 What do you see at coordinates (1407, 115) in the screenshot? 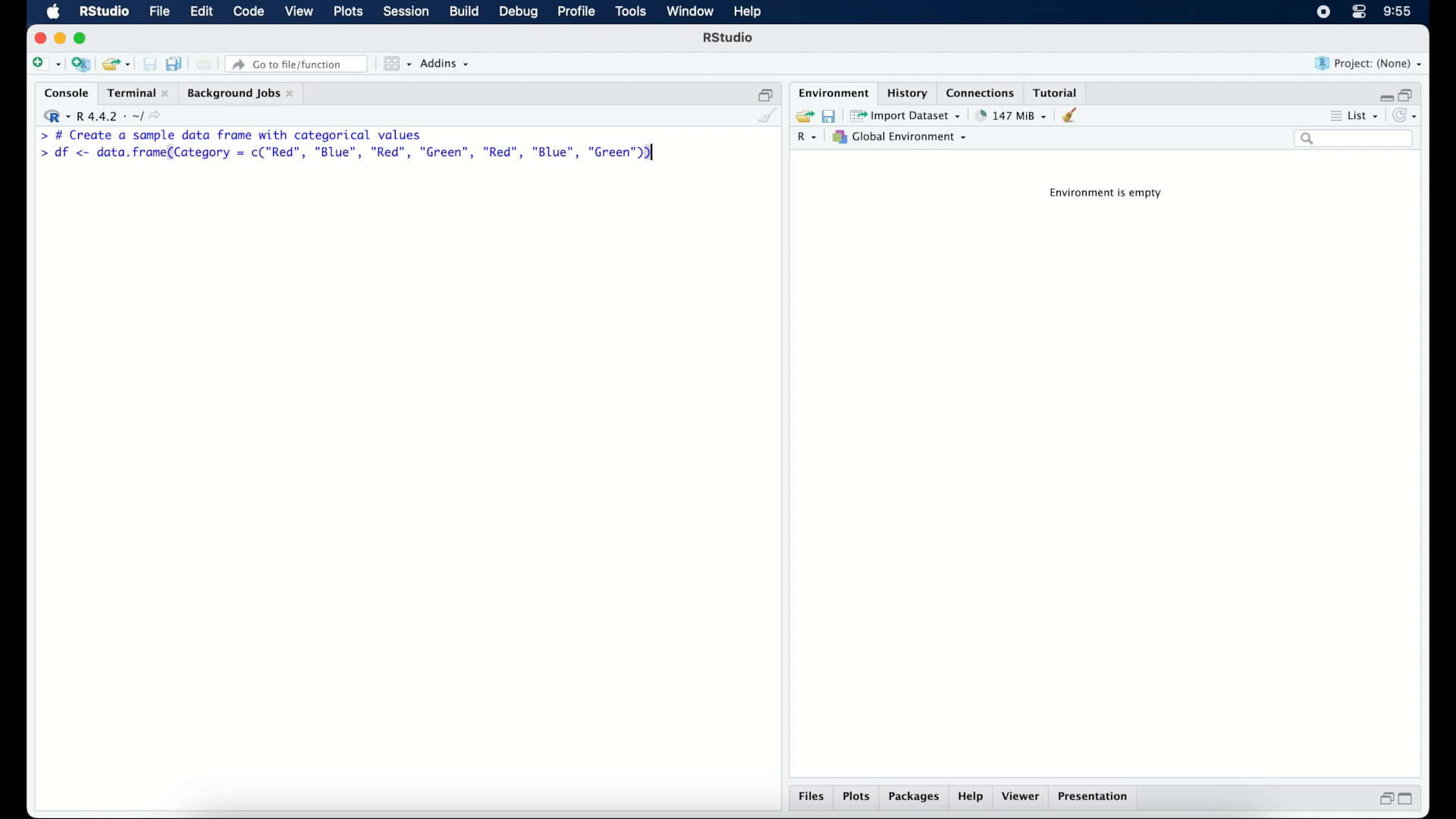
I see `refresh` at bounding box center [1407, 115].